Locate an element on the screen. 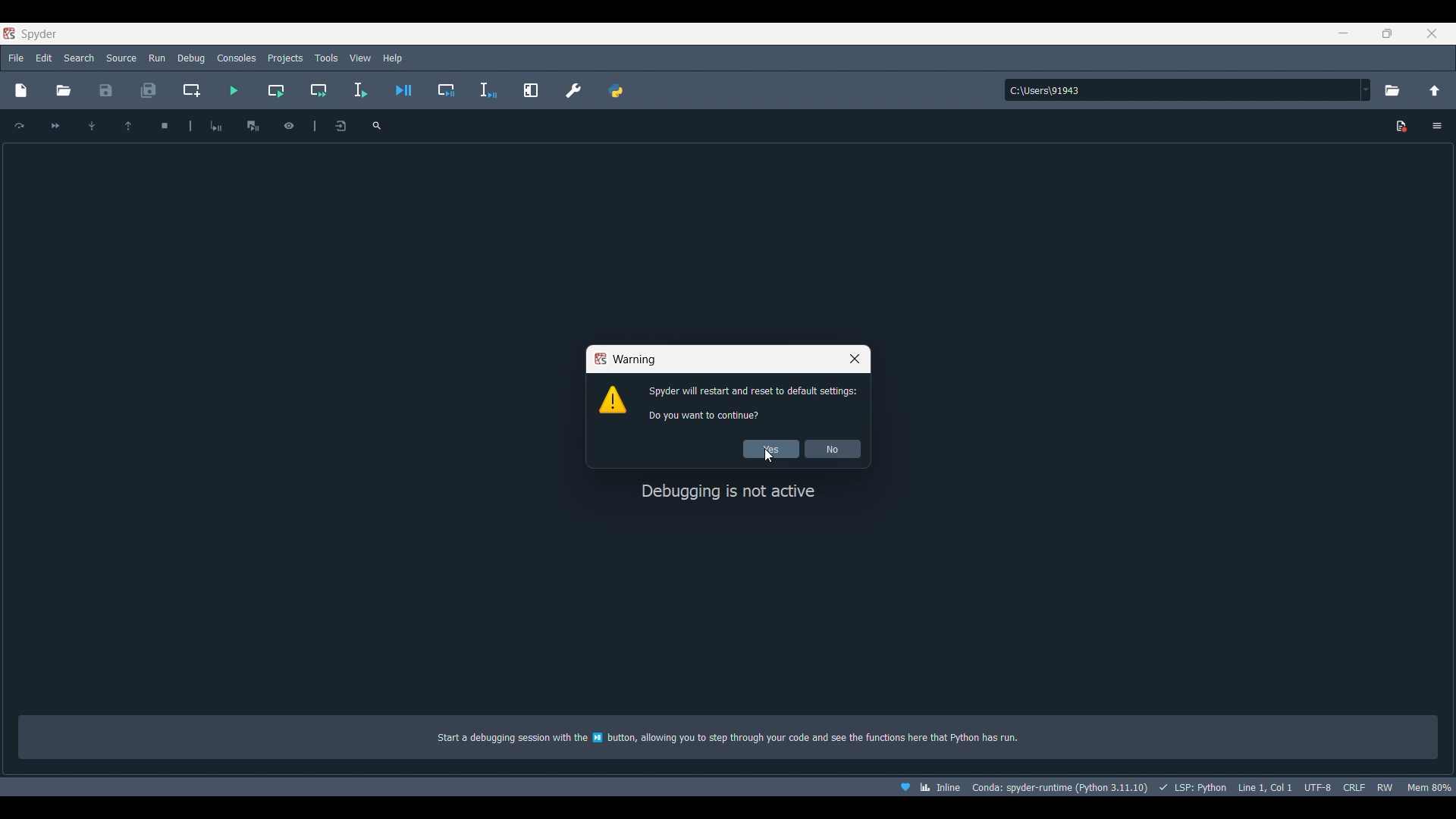 This screenshot has width=1456, height=819. Close is located at coordinates (855, 359).